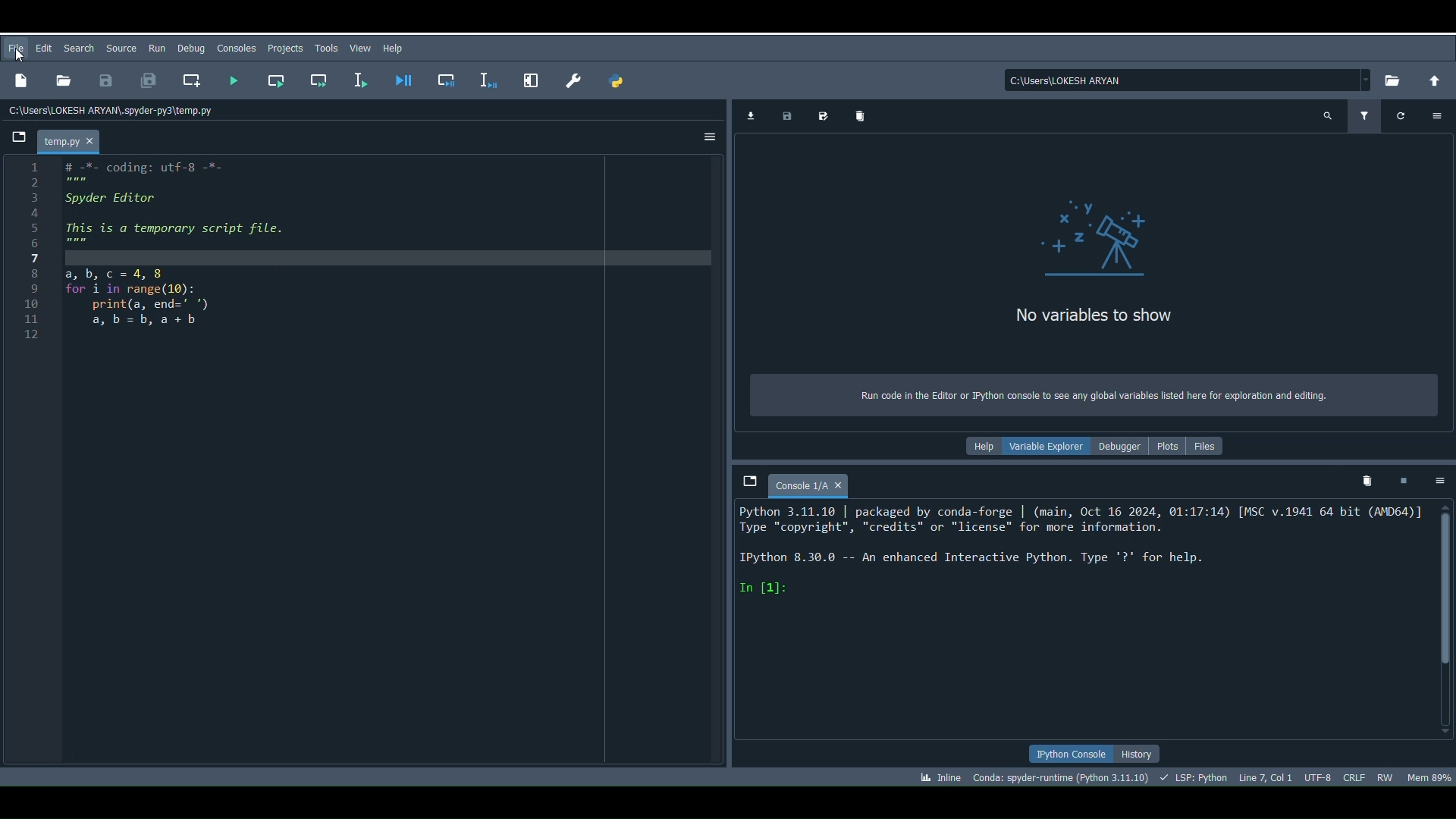  Describe the element at coordinates (485, 77) in the screenshot. I see `Debug selection or current line` at that location.